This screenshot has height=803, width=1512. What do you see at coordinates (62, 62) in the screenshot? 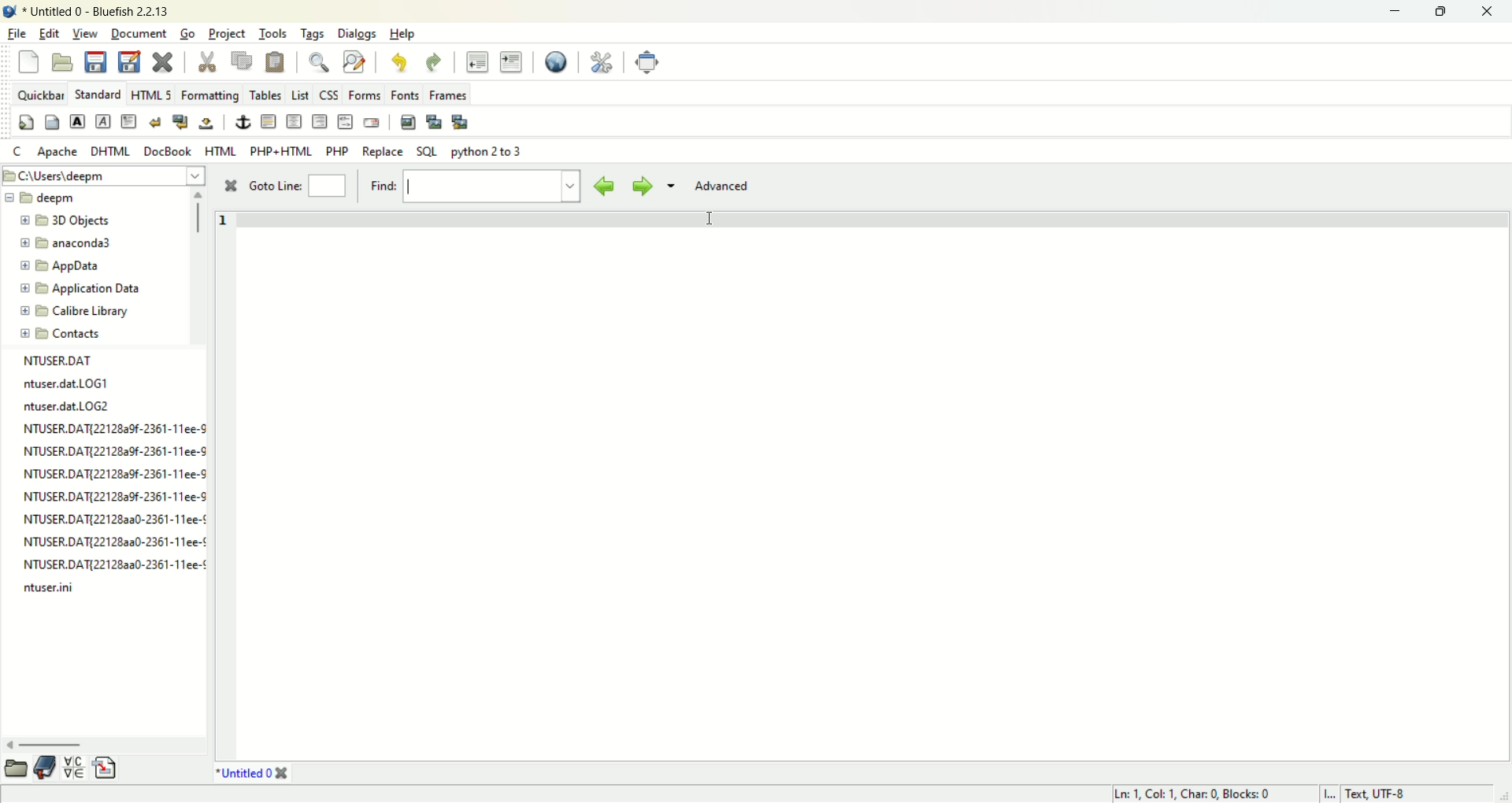
I see `open` at bounding box center [62, 62].